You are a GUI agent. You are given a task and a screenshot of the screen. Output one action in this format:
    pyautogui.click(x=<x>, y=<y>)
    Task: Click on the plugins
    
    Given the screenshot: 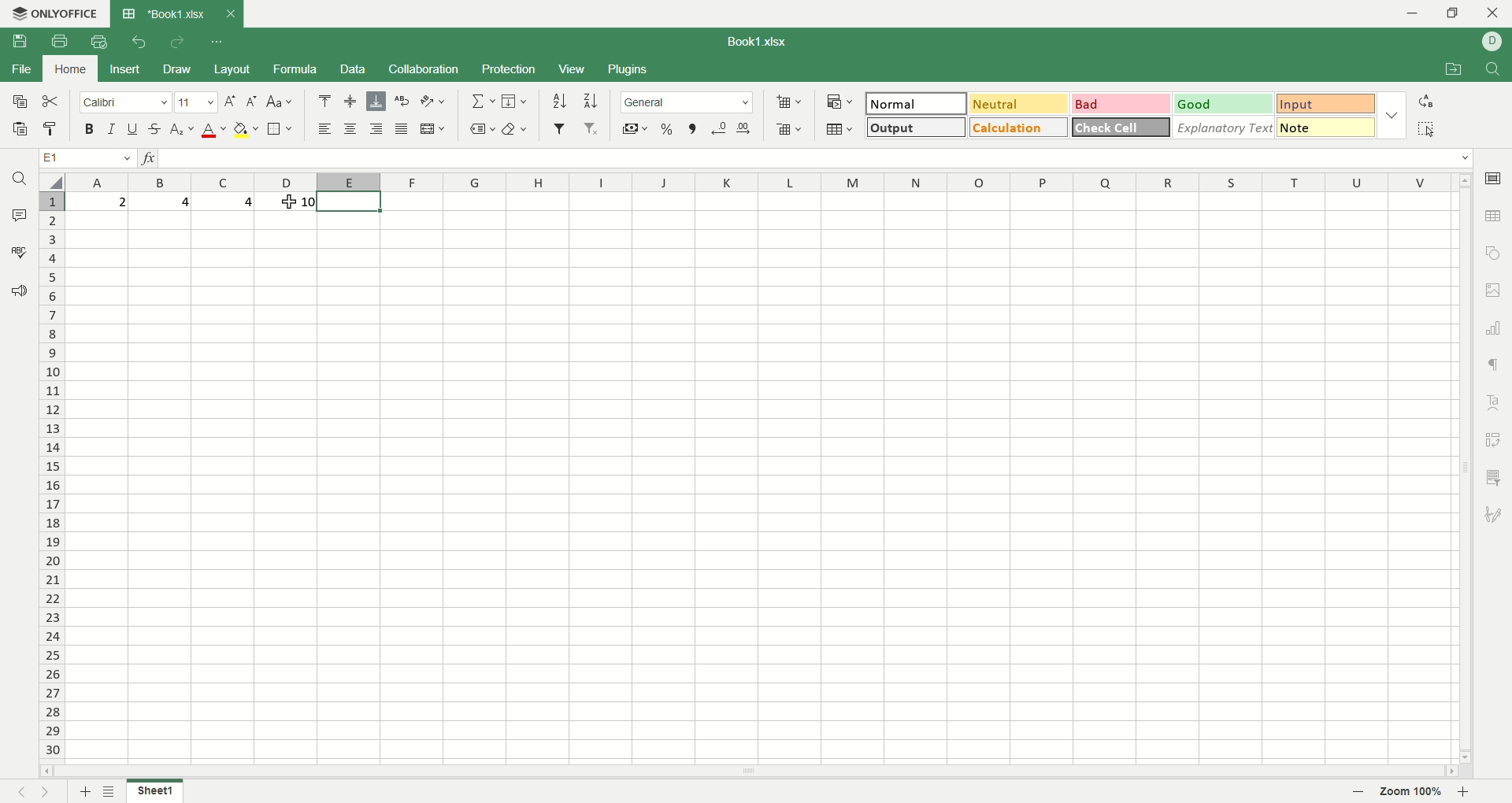 What is the action you would take?
    pyautogui.click(x=627, y=69)
    